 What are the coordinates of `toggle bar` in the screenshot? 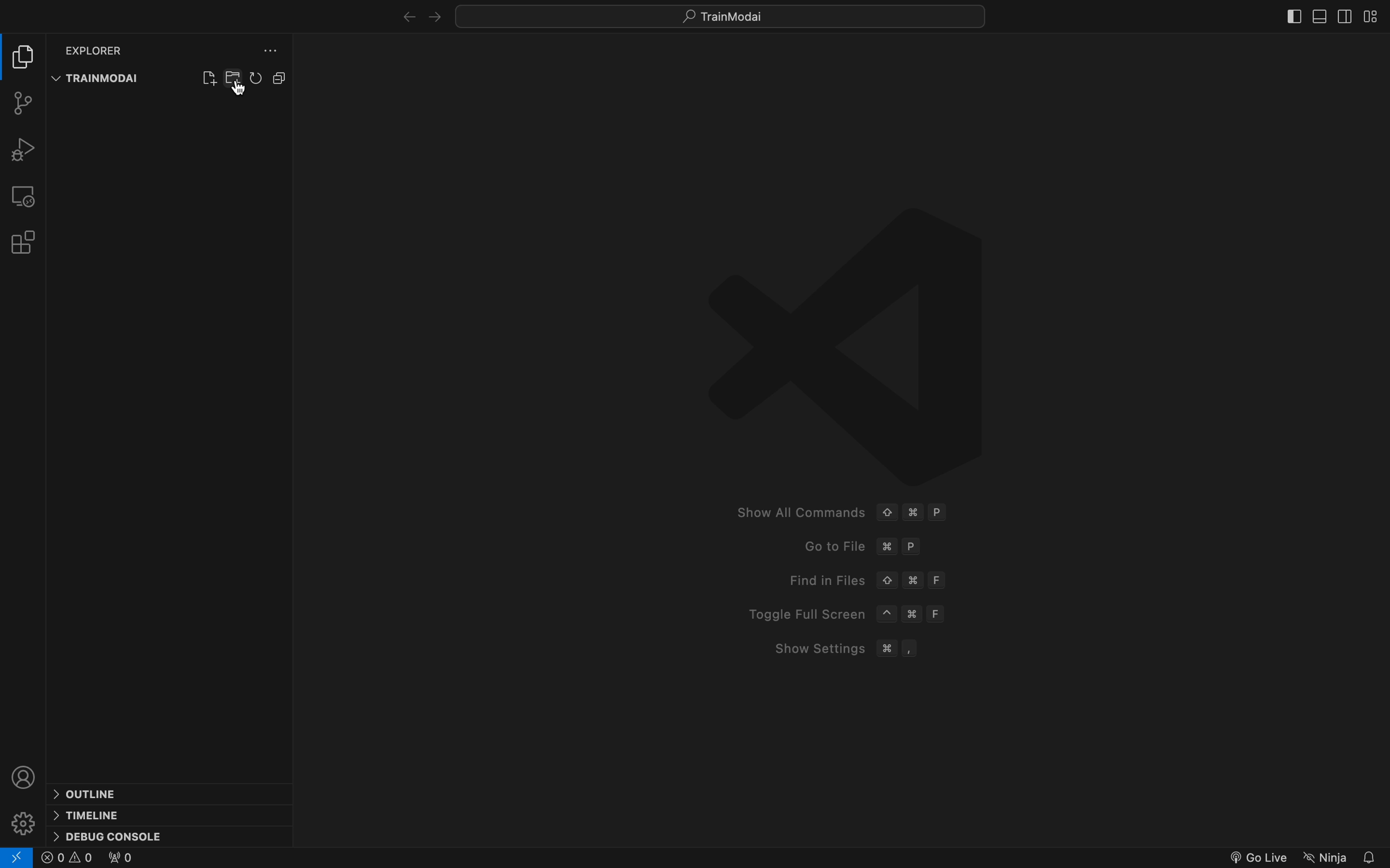 It's located at (1294, 15).